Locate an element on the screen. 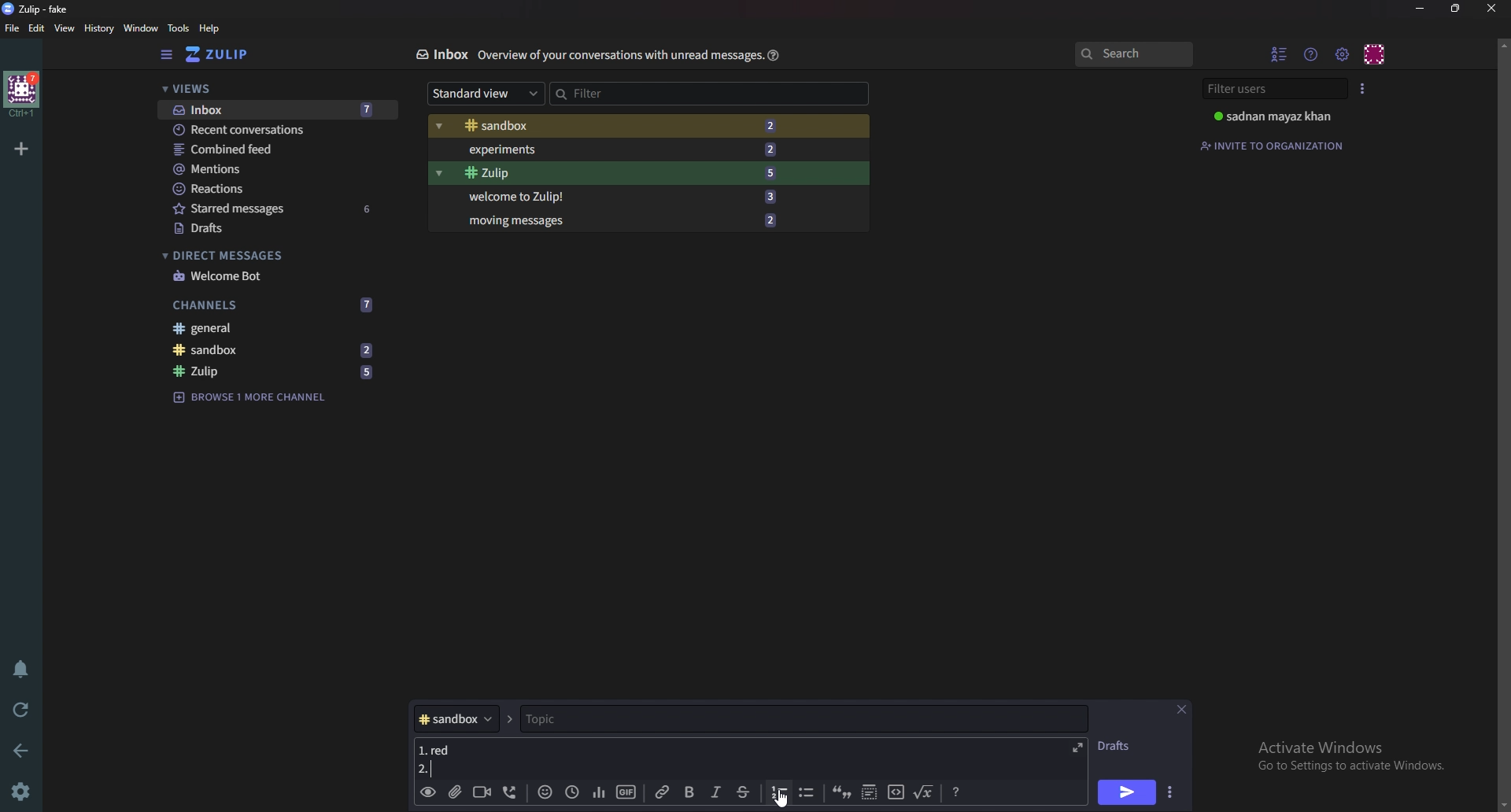  main menu is located at coordinates (1343, 54).